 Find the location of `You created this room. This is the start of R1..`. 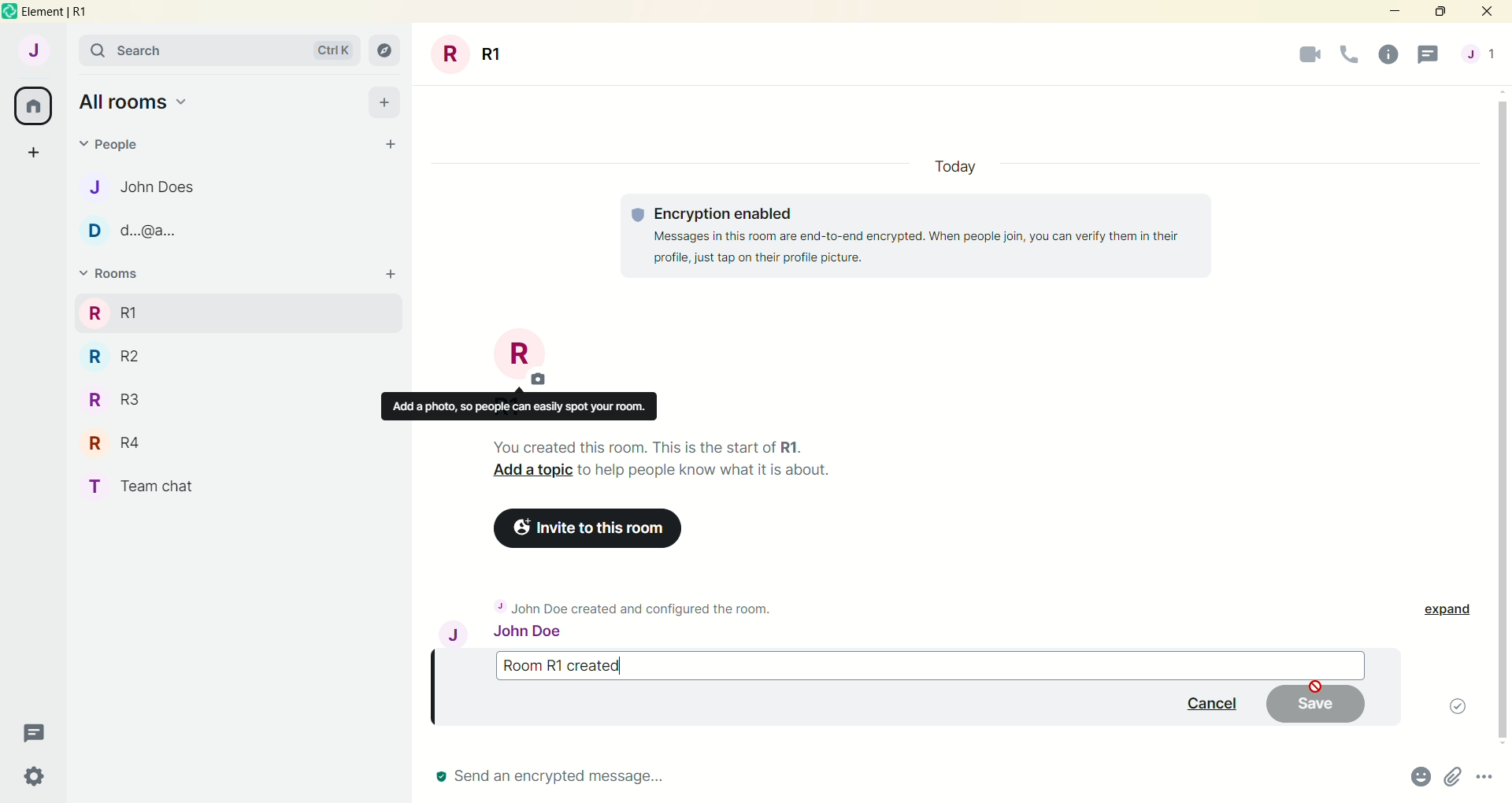

You created this room. This is the start of R1.. is located at coordinates (659, 444).